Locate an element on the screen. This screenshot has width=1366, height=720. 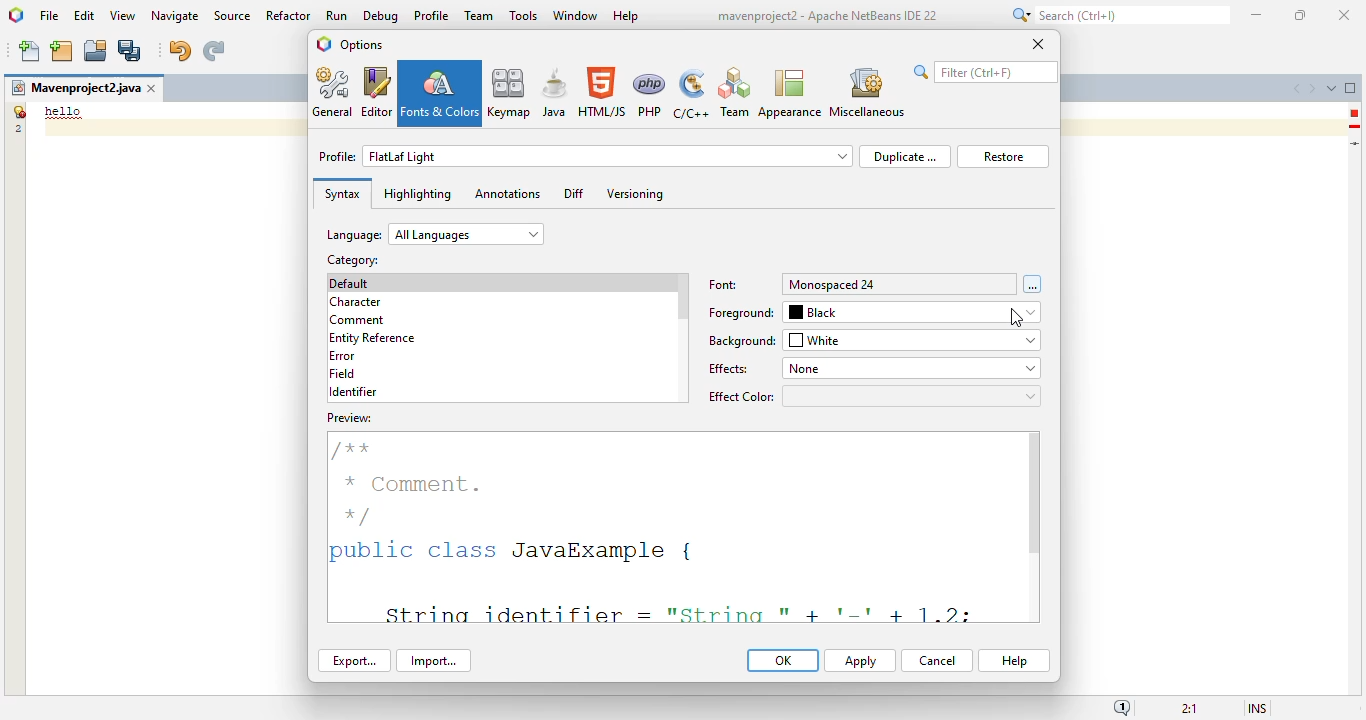
navigate is located at coordinates (176, 16).